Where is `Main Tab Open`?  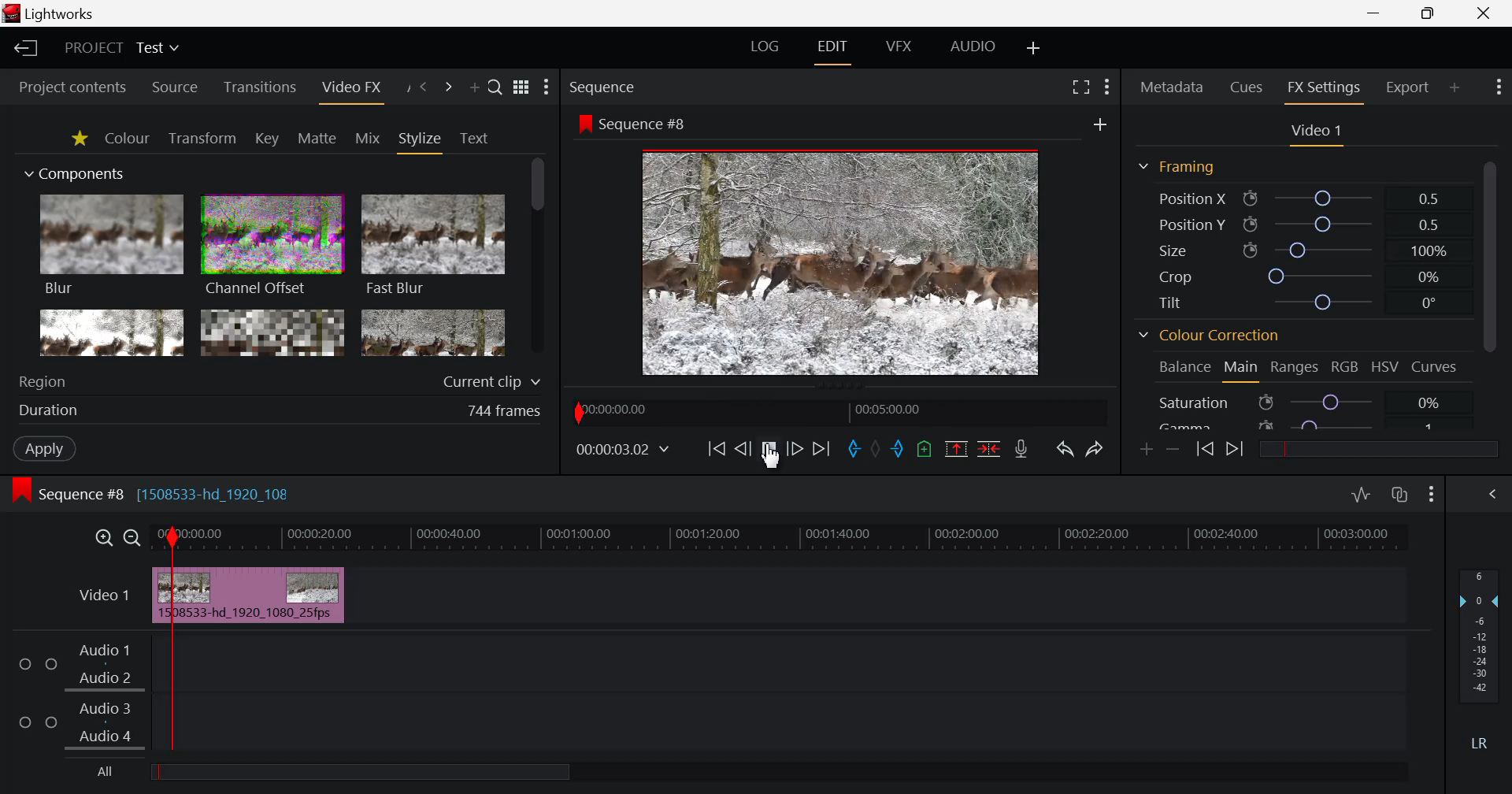
Main Tab Open is located at coordinates (1240, 369).